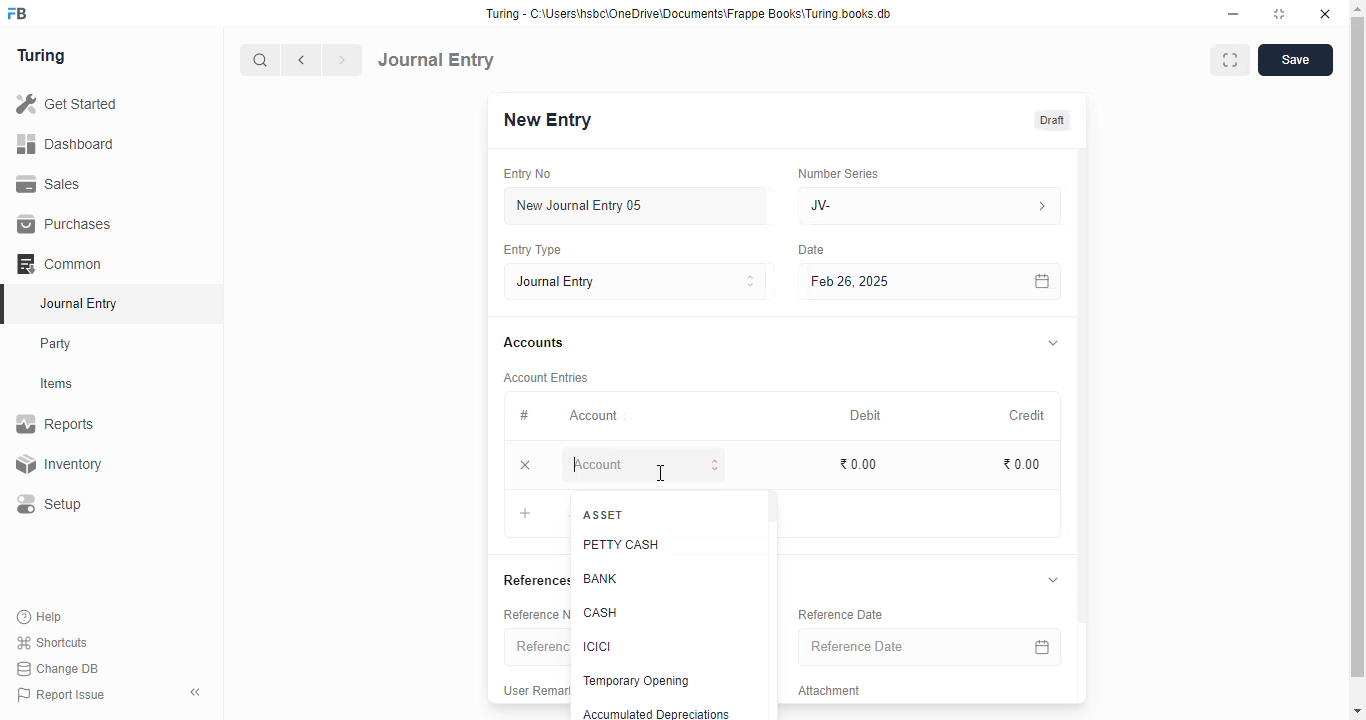  What do you see at coordinates (437, 59) in the screenshot?
I see `journal entry` at bounding box center [437, 59].